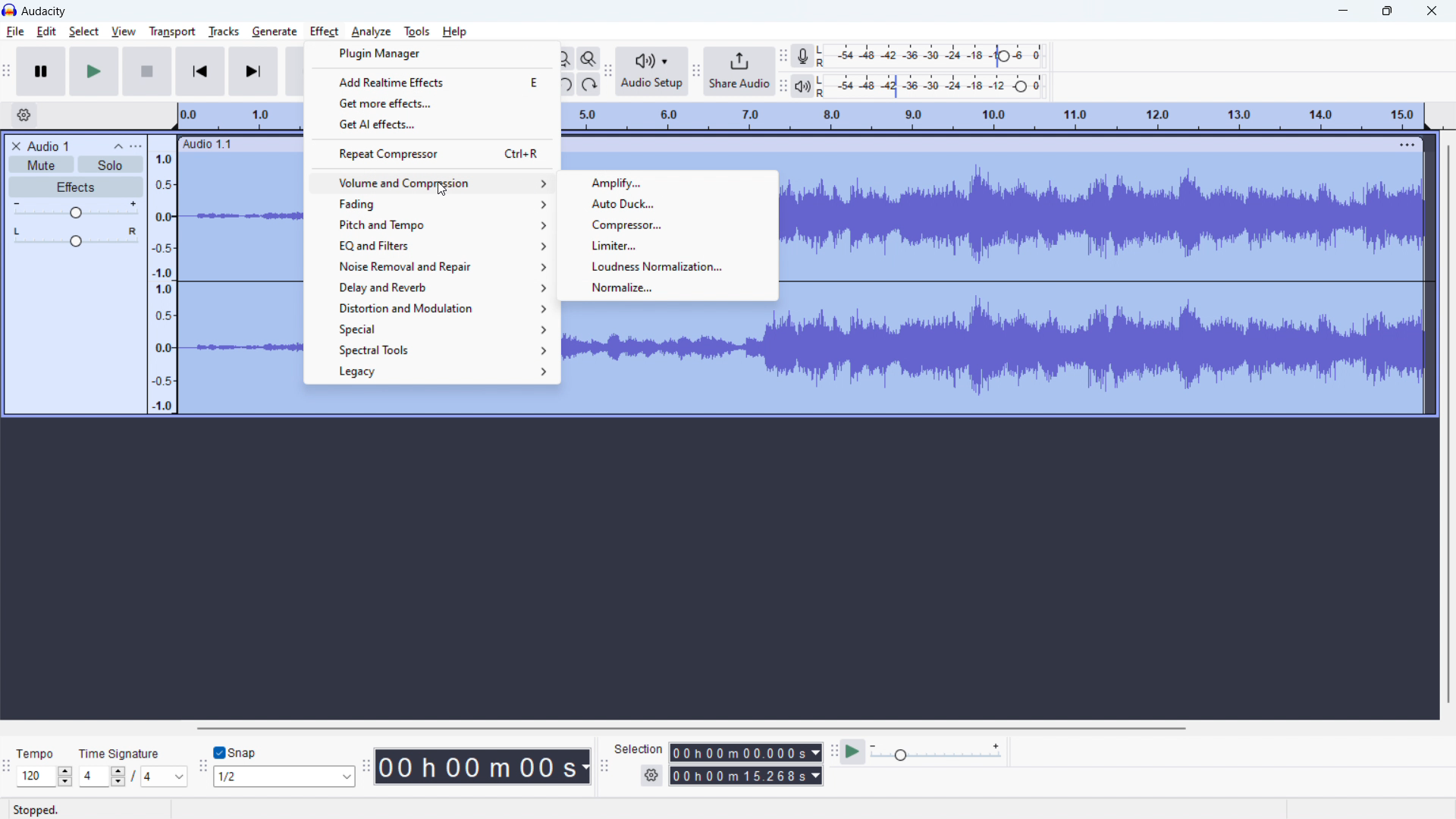 This screenshot has height=819, width=1456. I want to click on record level, so click(943, 56).